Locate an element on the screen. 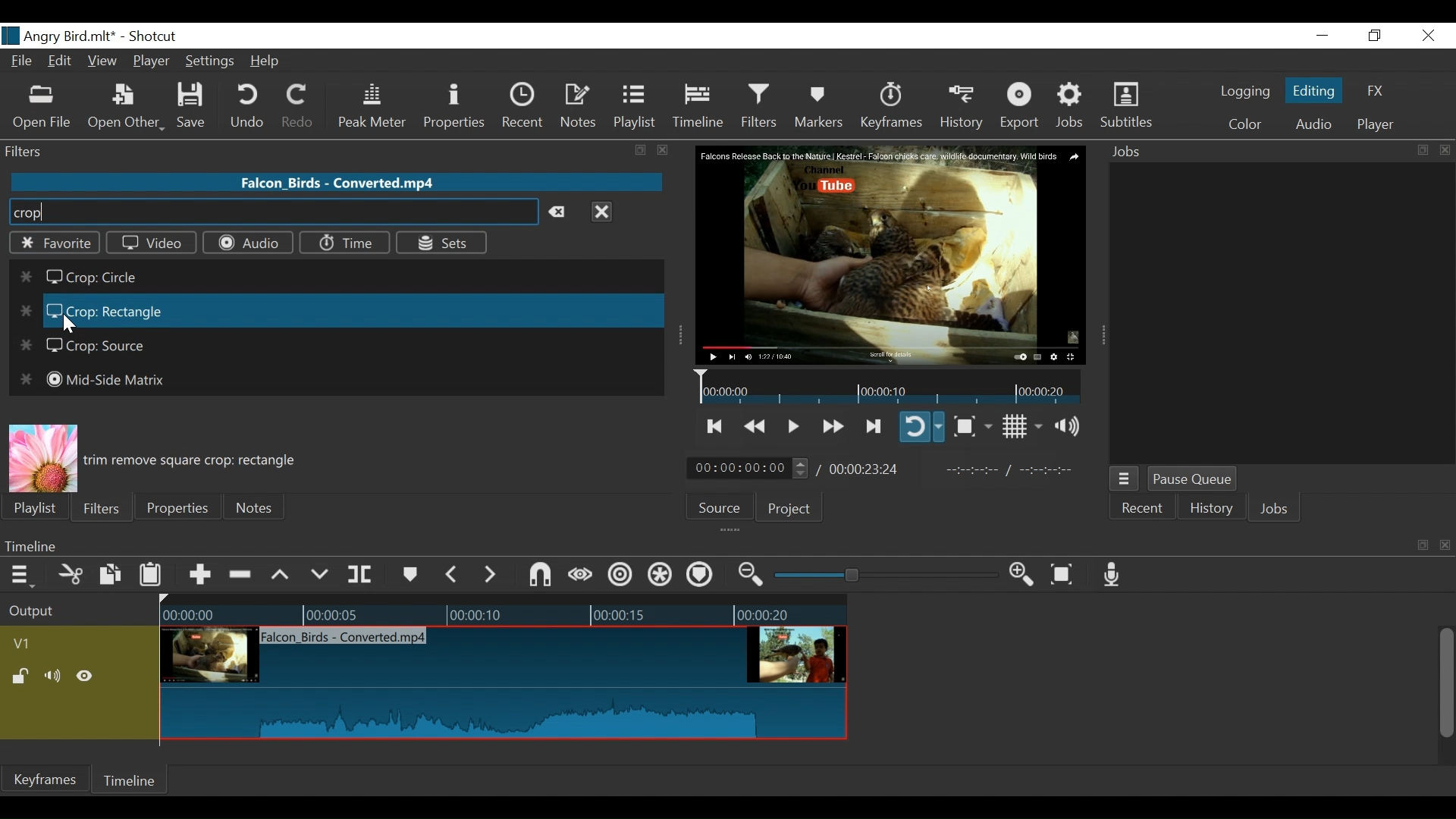  Source is located at coordinates (725, 506).